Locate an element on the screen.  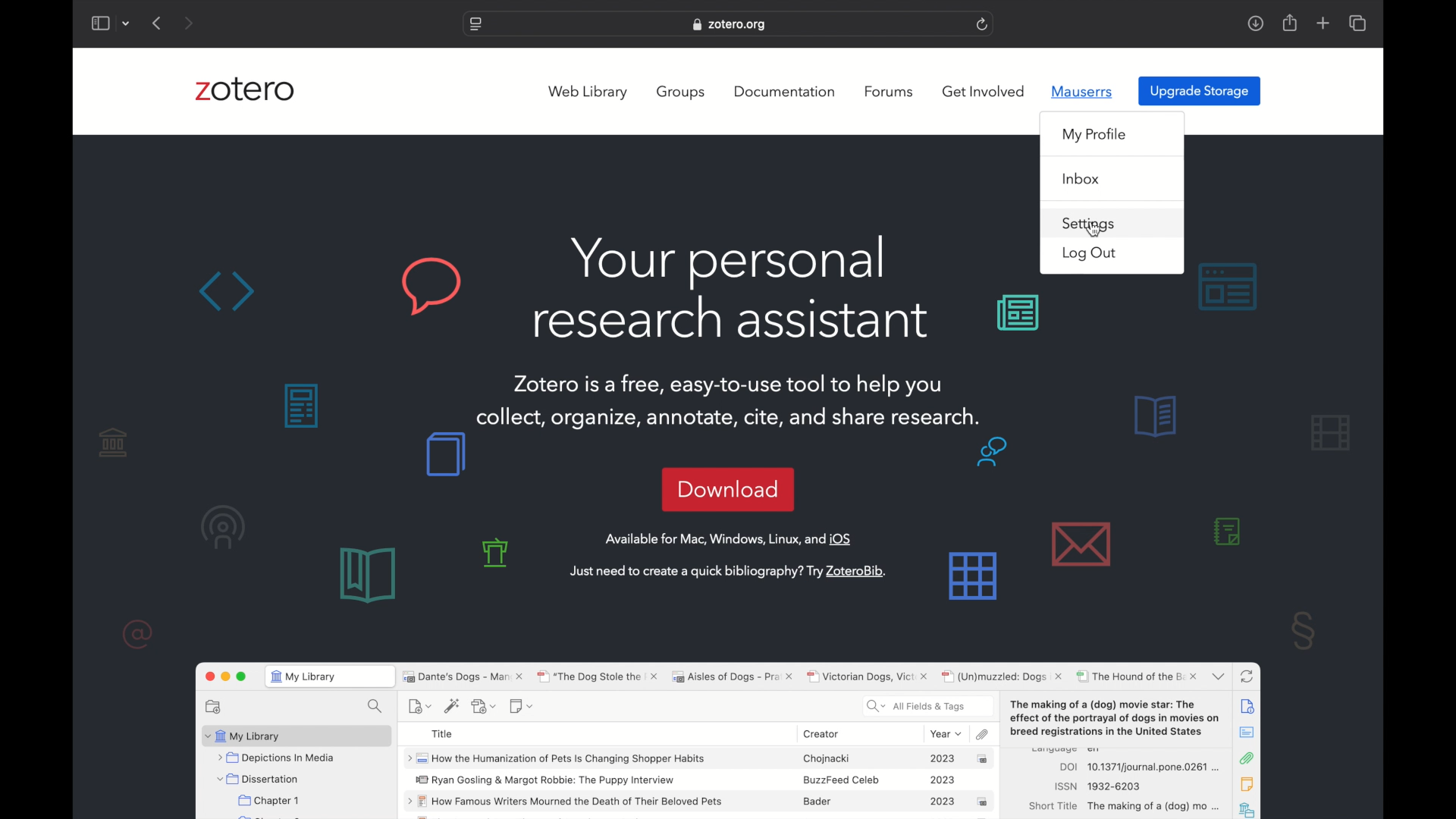
downloads is located at coordinates (1256, 23).